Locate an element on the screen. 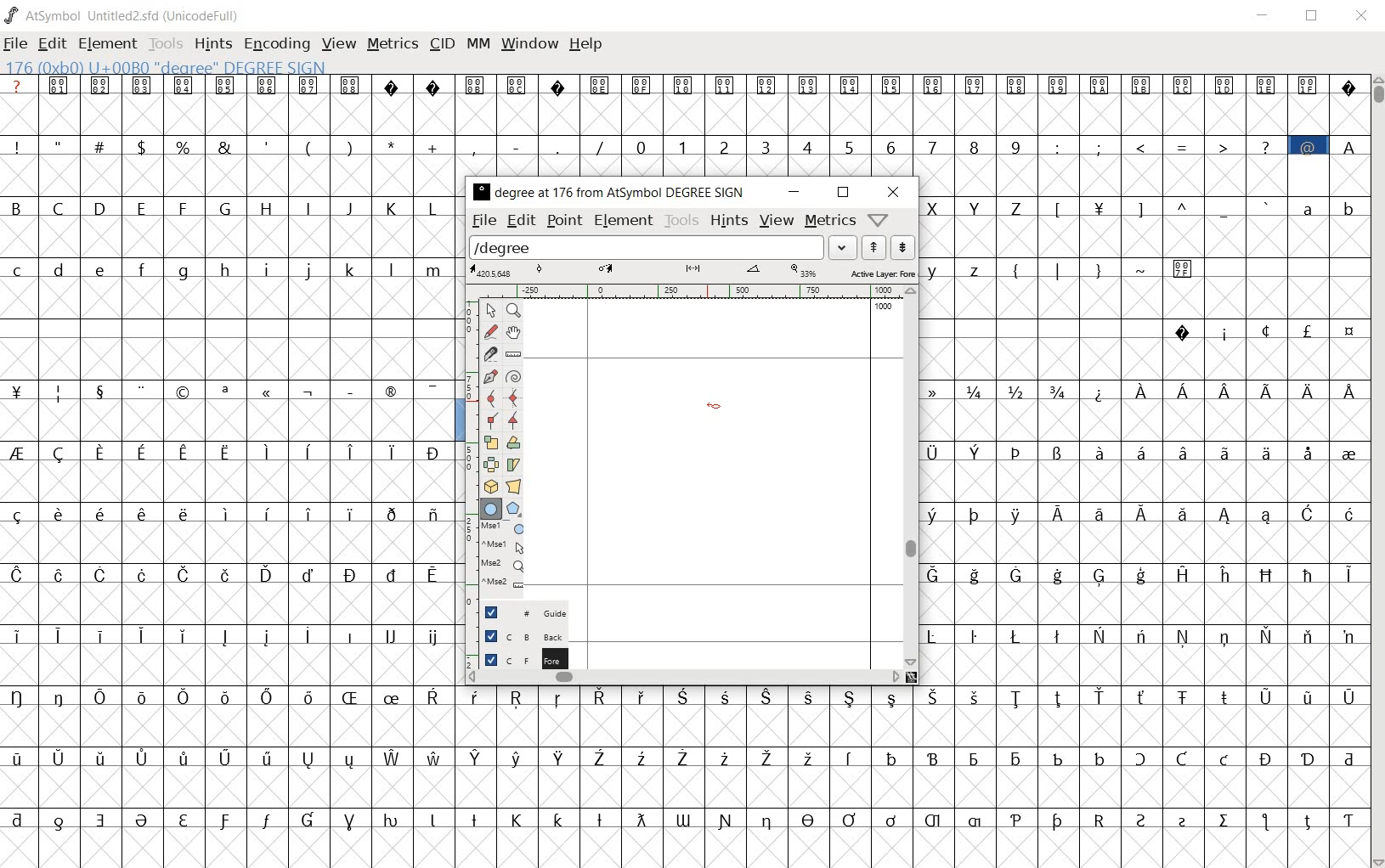  unsupported charters is located at coordinates (414, 84).